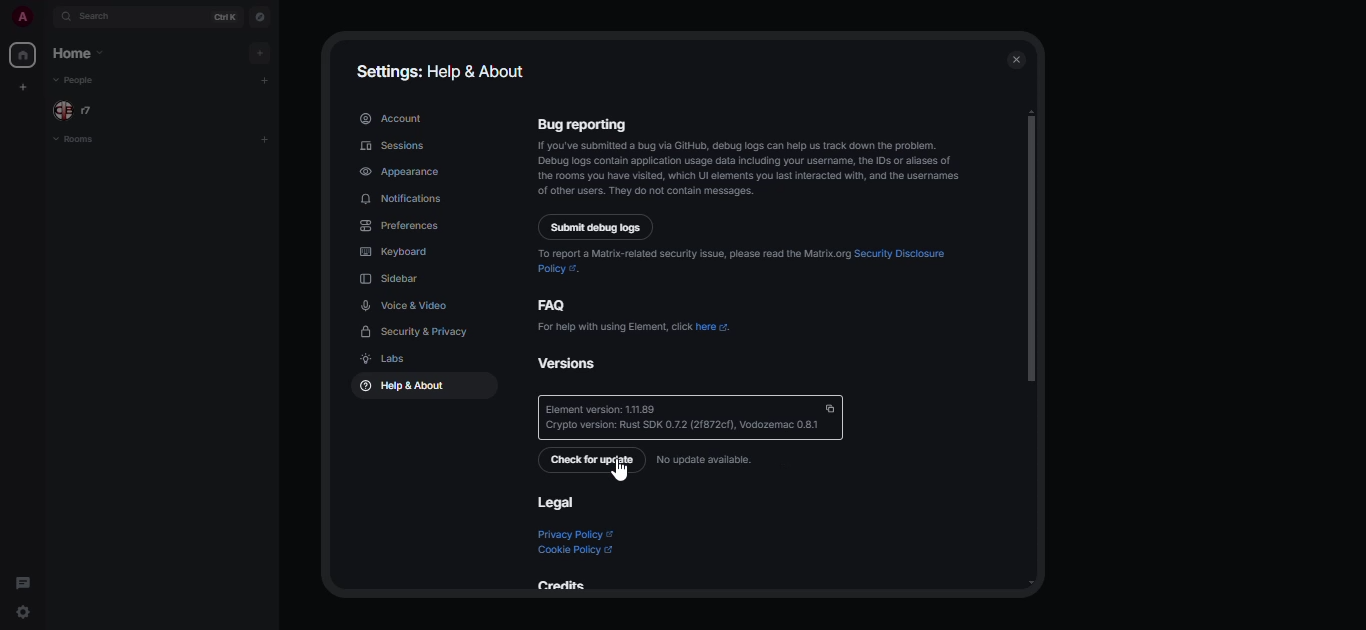 Image resolution: width=1366 pixels, height=630 pixels. Describe the element at coordinates (554, 502) in the screenshot. I see `legal` at that location.